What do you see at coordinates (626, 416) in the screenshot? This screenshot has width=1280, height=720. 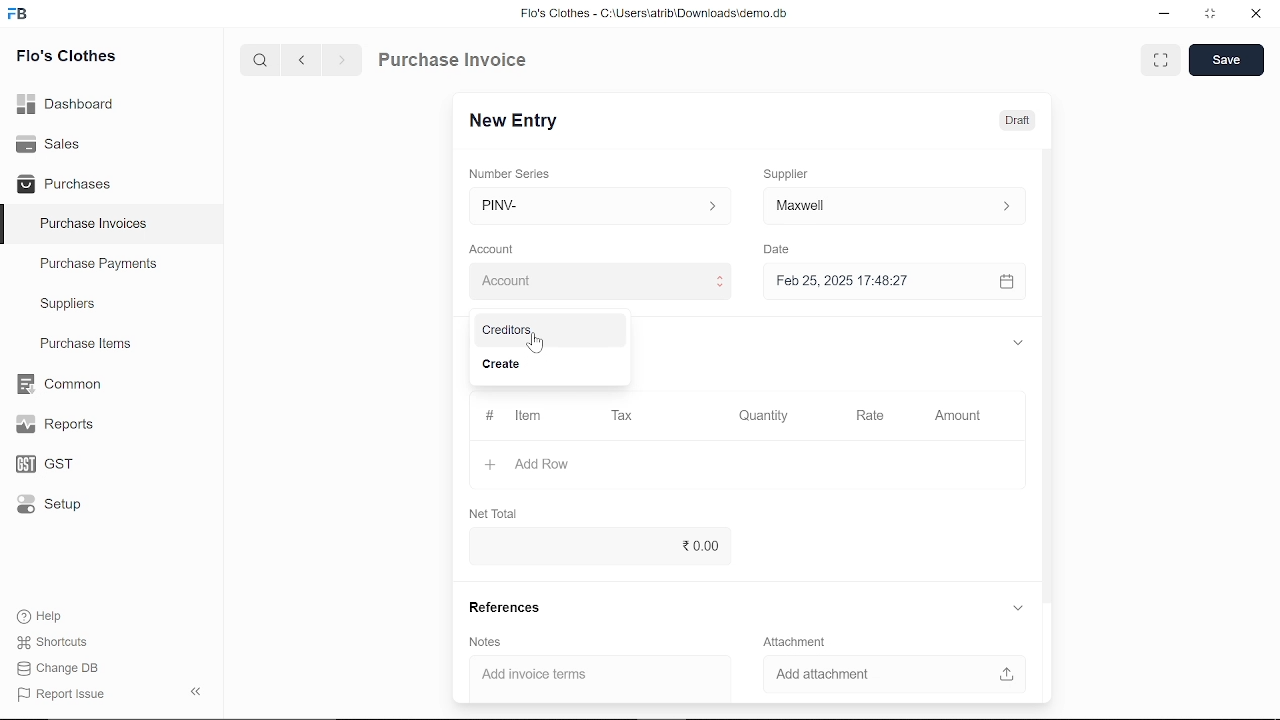 I see `Tax` at bounding box center [626, 416].